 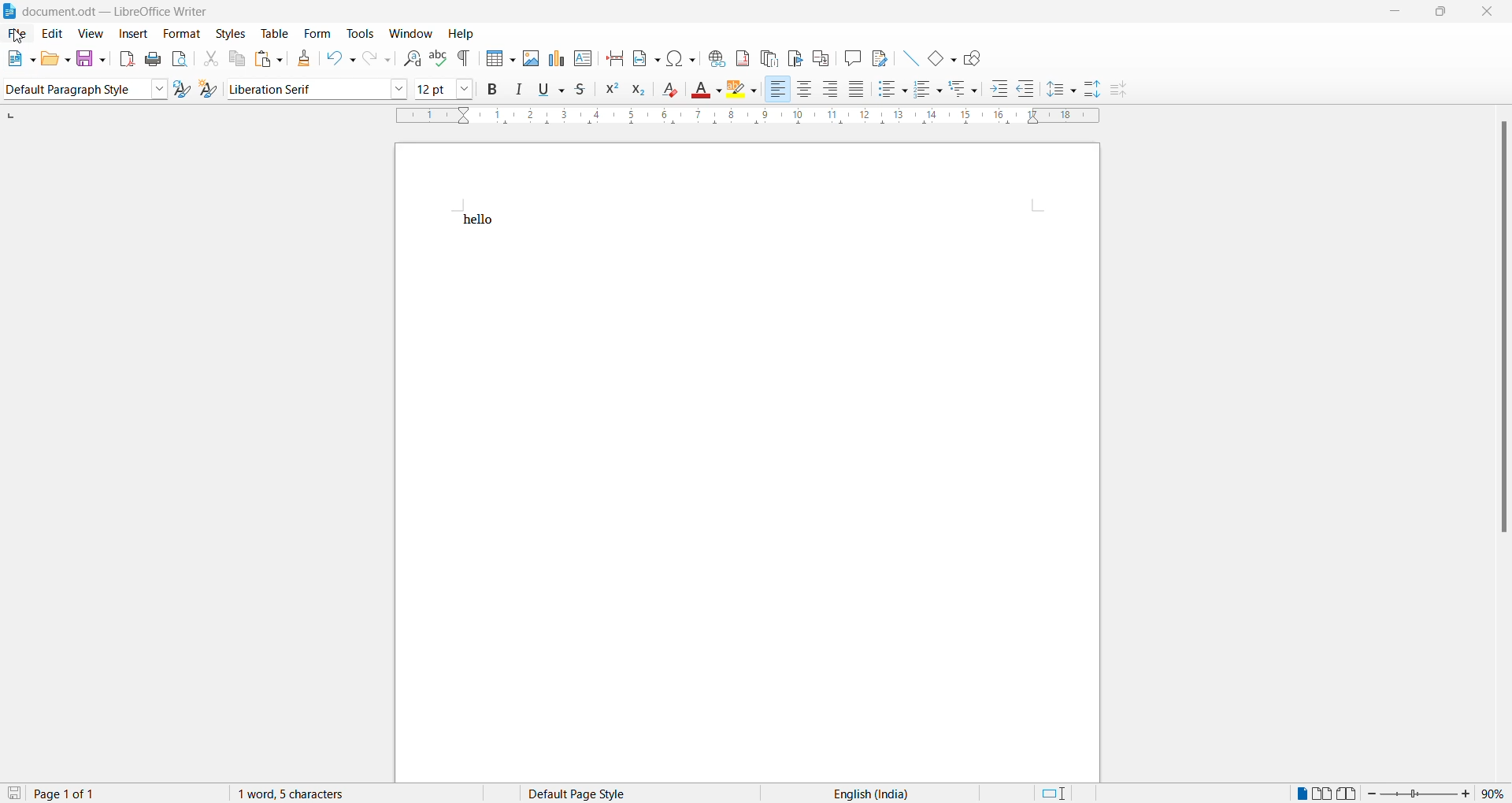 What do you see at coordinates (613, 61) in the screenshot?
I see `Insert page break` at bounding box center [613, 61].